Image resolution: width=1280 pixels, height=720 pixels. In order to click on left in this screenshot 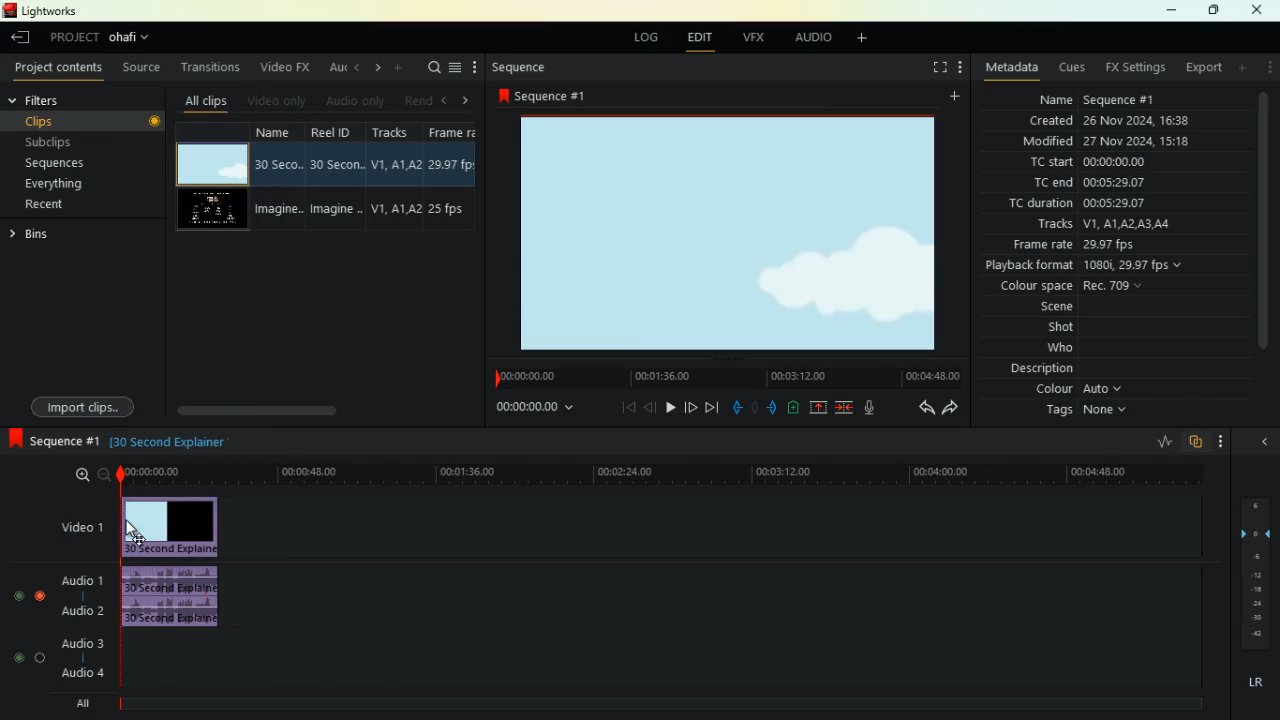, I will do `click(446, 100)`.